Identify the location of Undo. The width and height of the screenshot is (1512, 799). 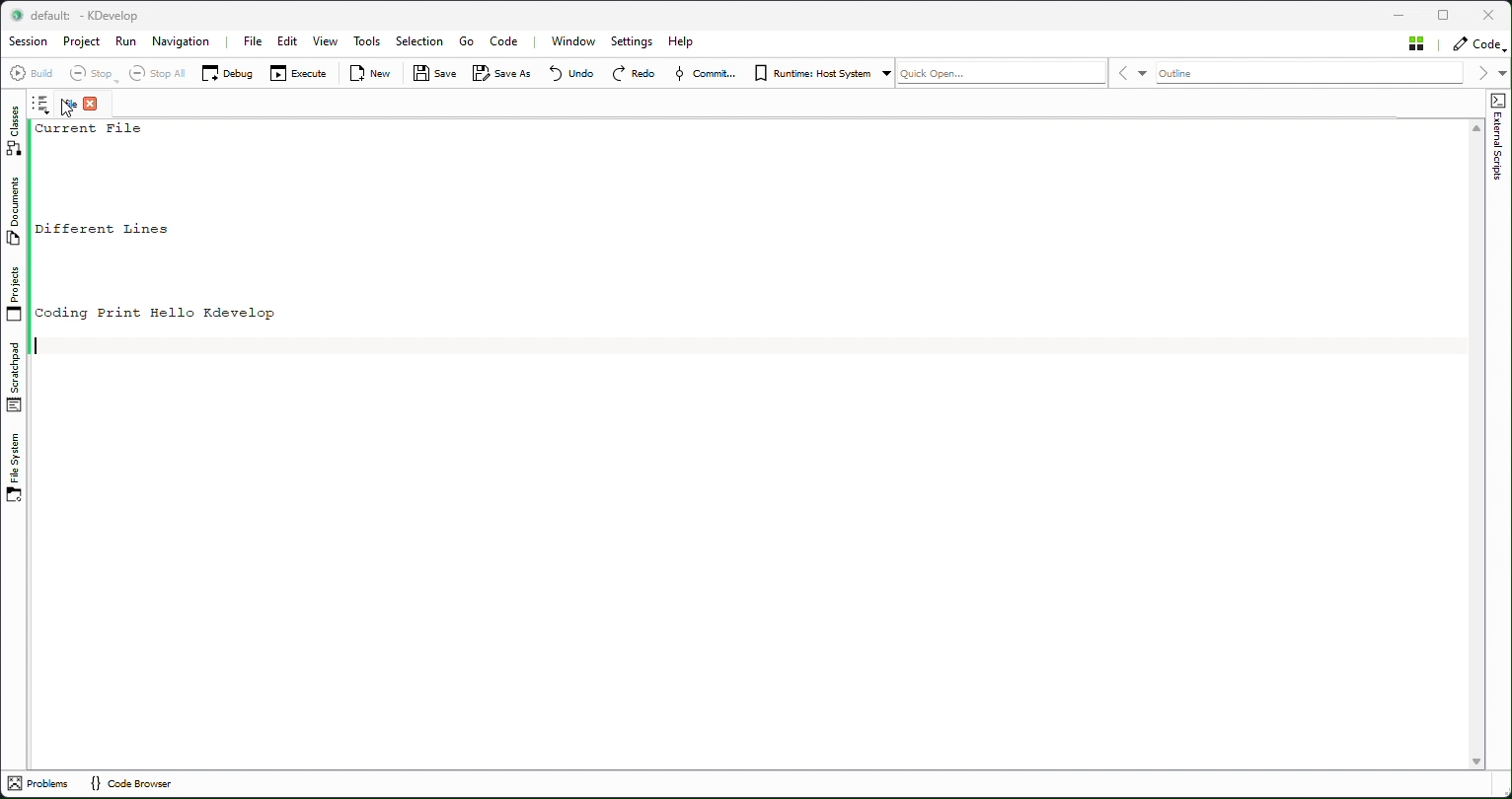
(571, 75).